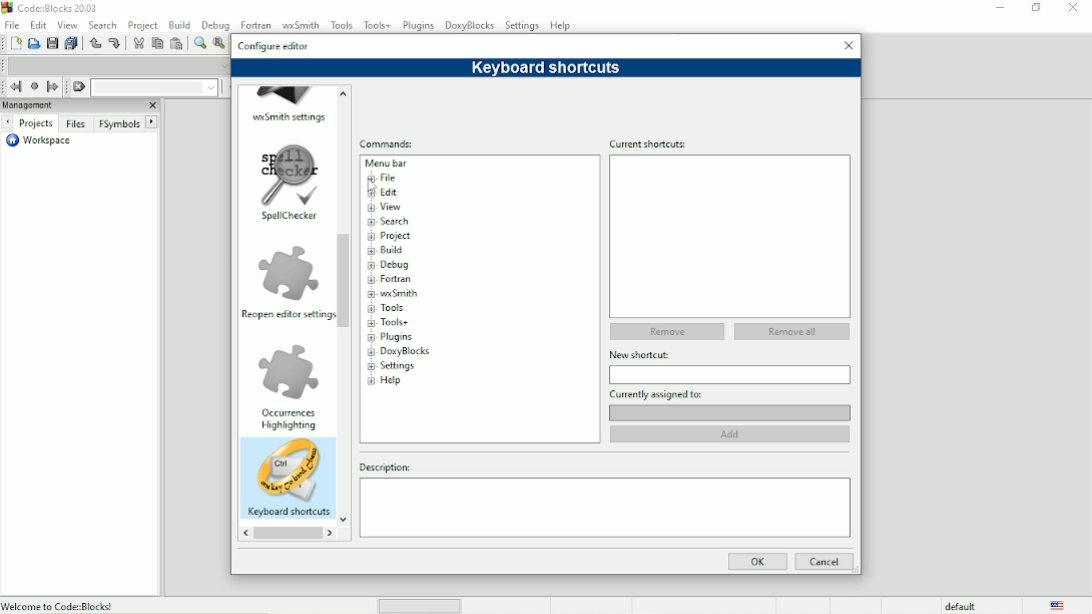 Image resolution: width=1092 pixels, height=614 pixels. I want to click on Spellchecker, so click(286, 218).